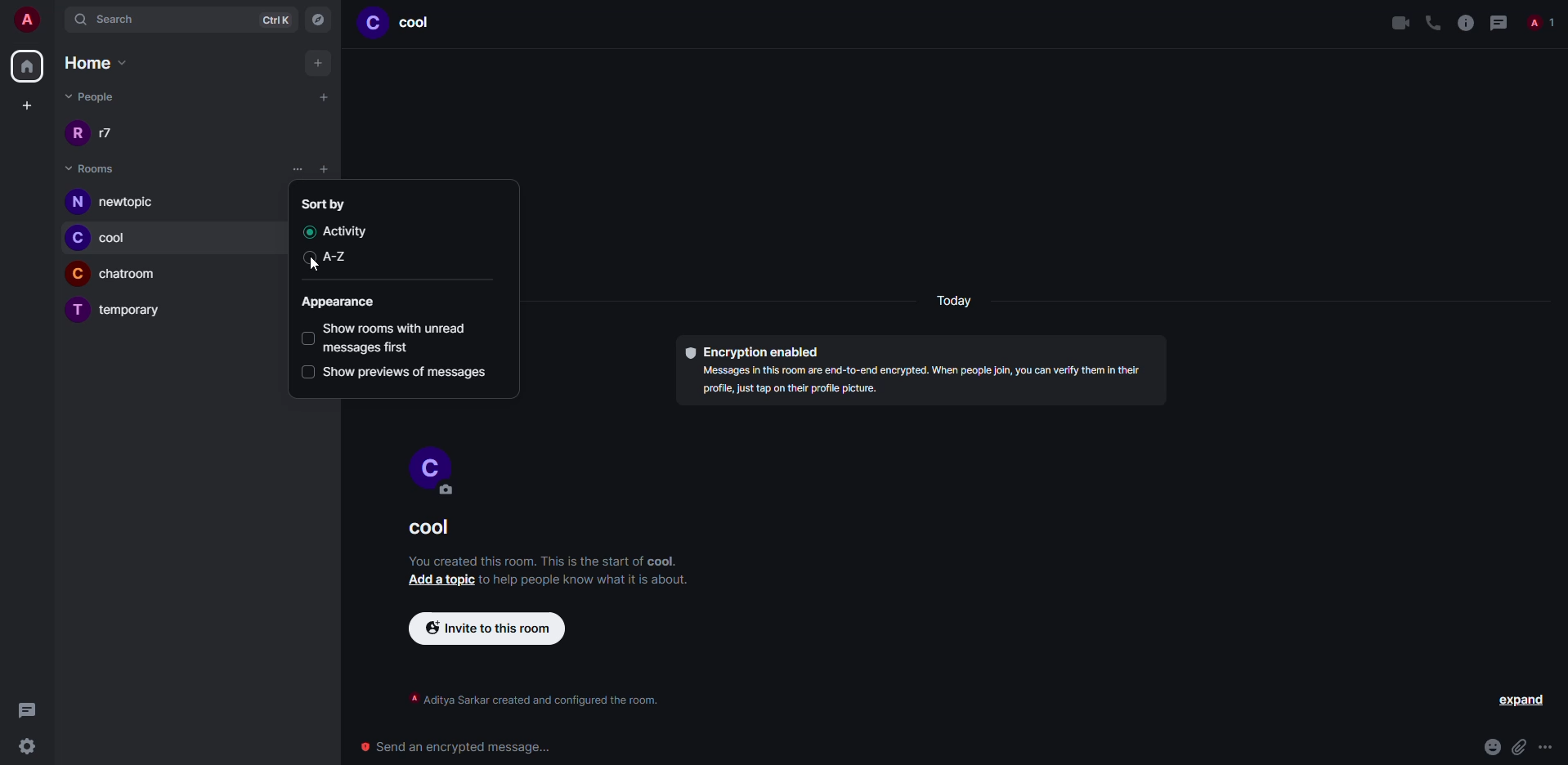  I want to click on add, so click(320, 98).